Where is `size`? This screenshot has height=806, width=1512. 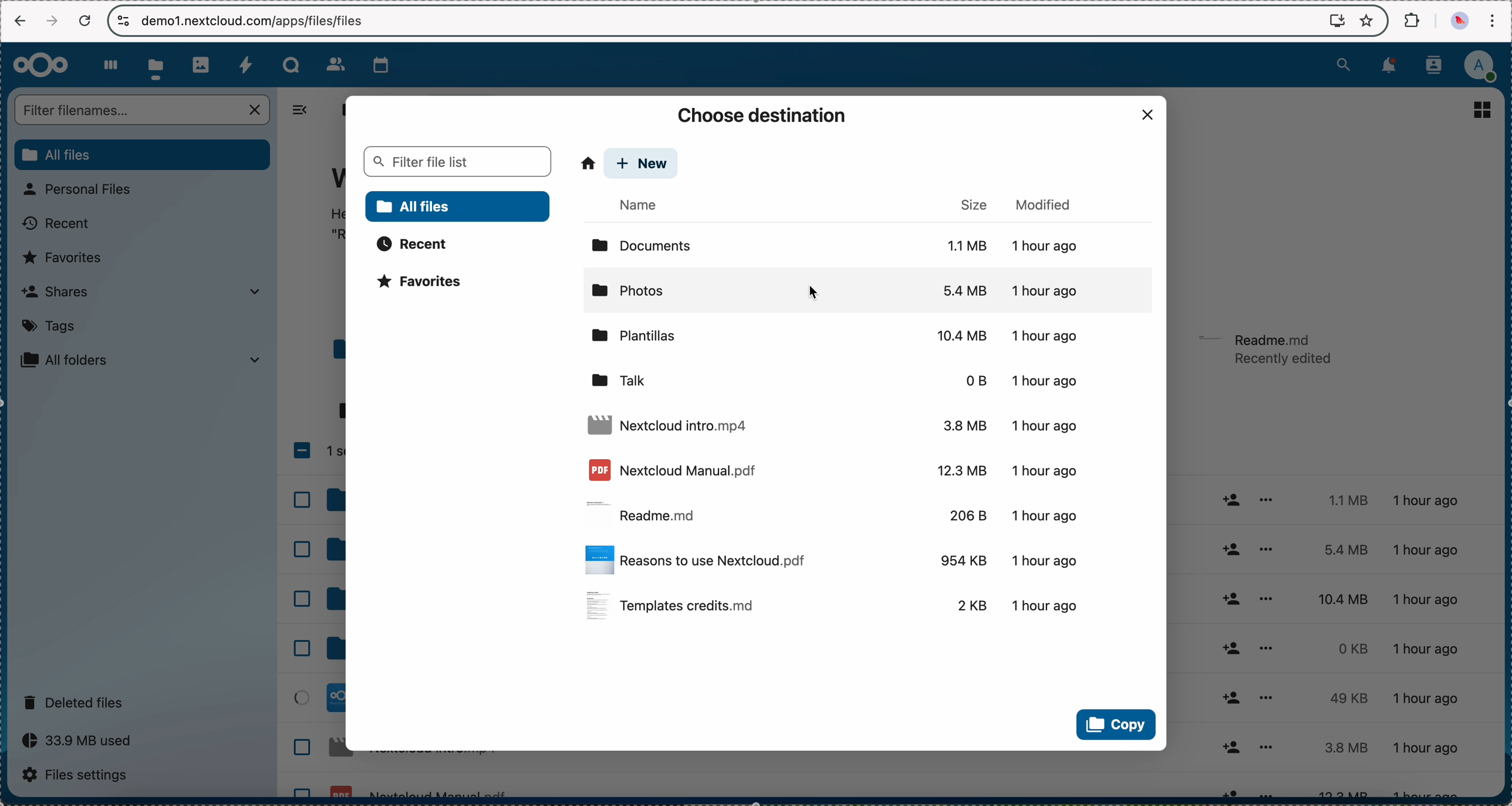 size is located at coordinates (974, 204).